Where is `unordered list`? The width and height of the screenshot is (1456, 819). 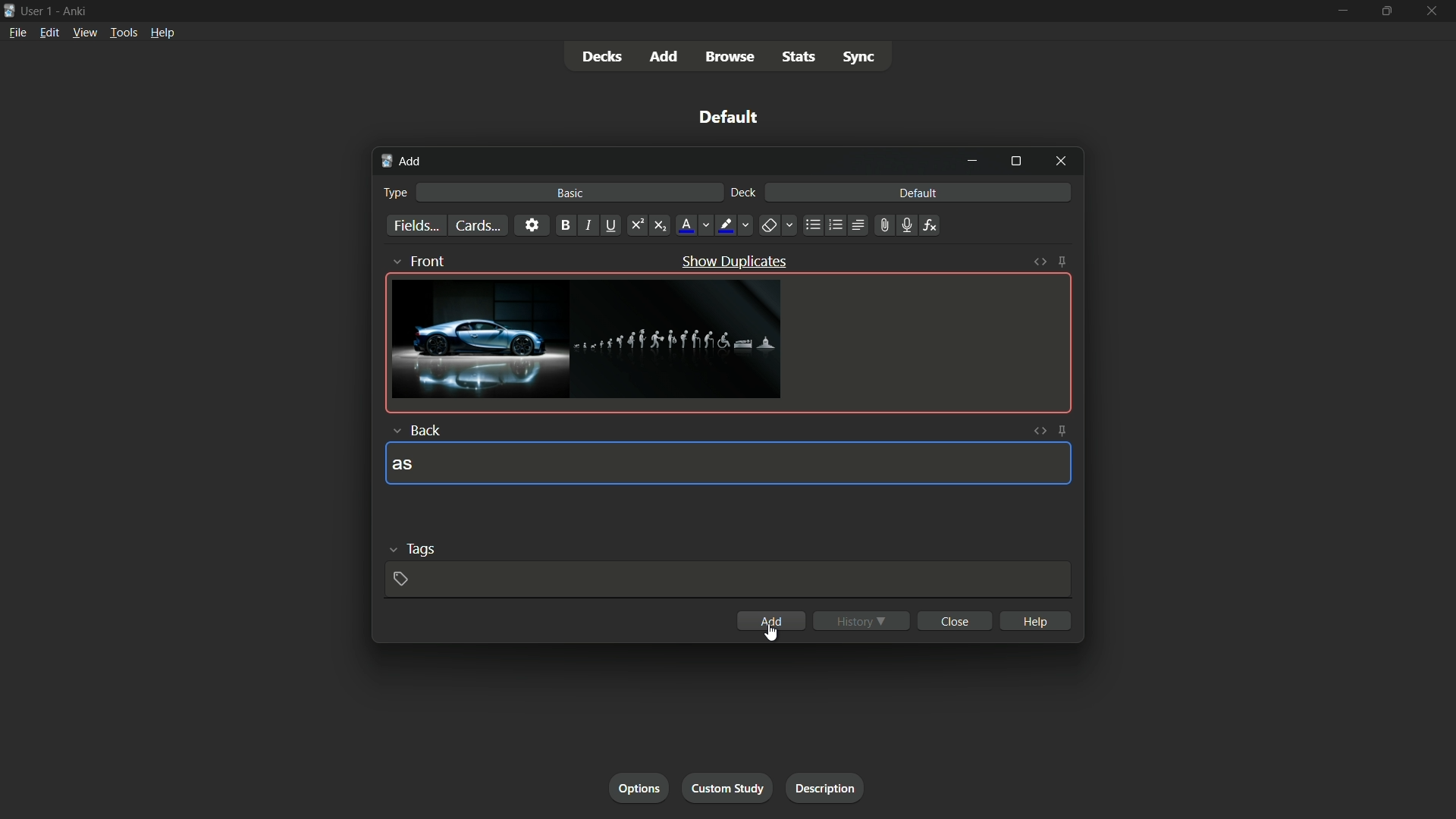 unordered list is located at coordinates (814, 225).